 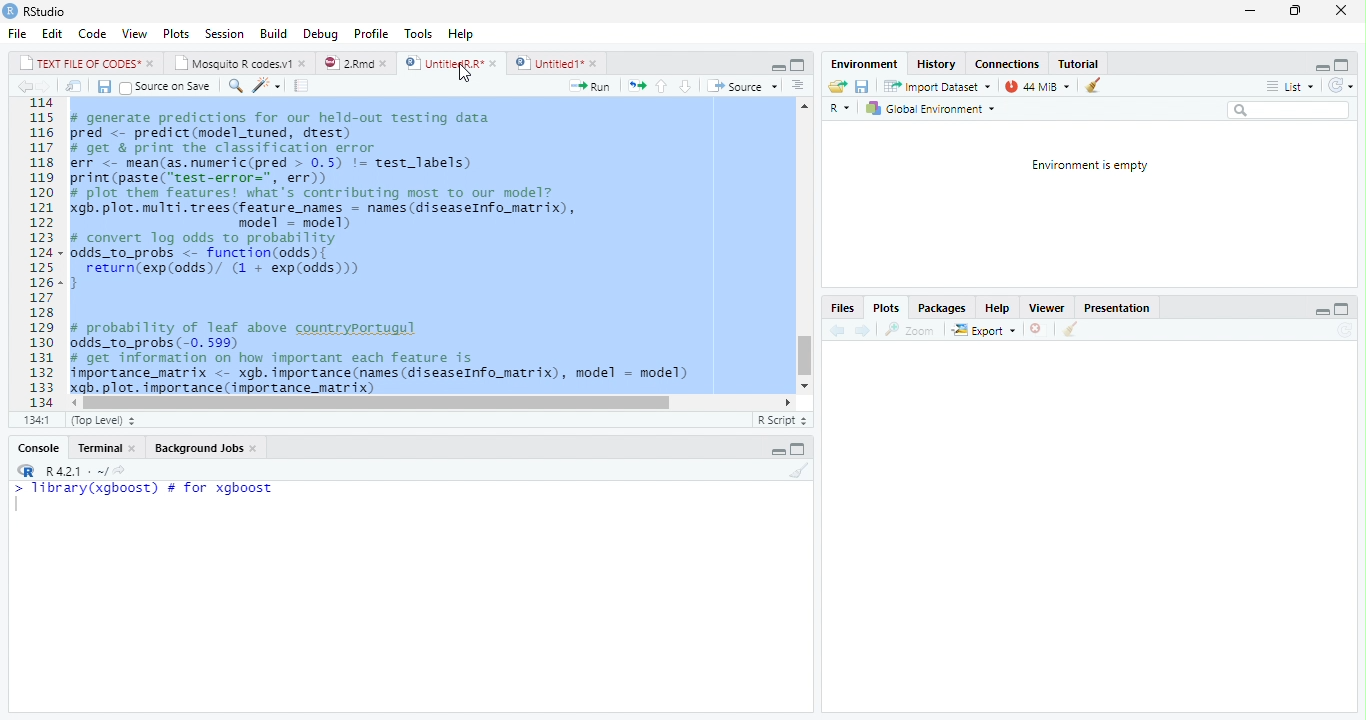 What do you see at coordinates (105, 419) in the screenshot?
I see `Top Level` at bounding box center [105, 419].